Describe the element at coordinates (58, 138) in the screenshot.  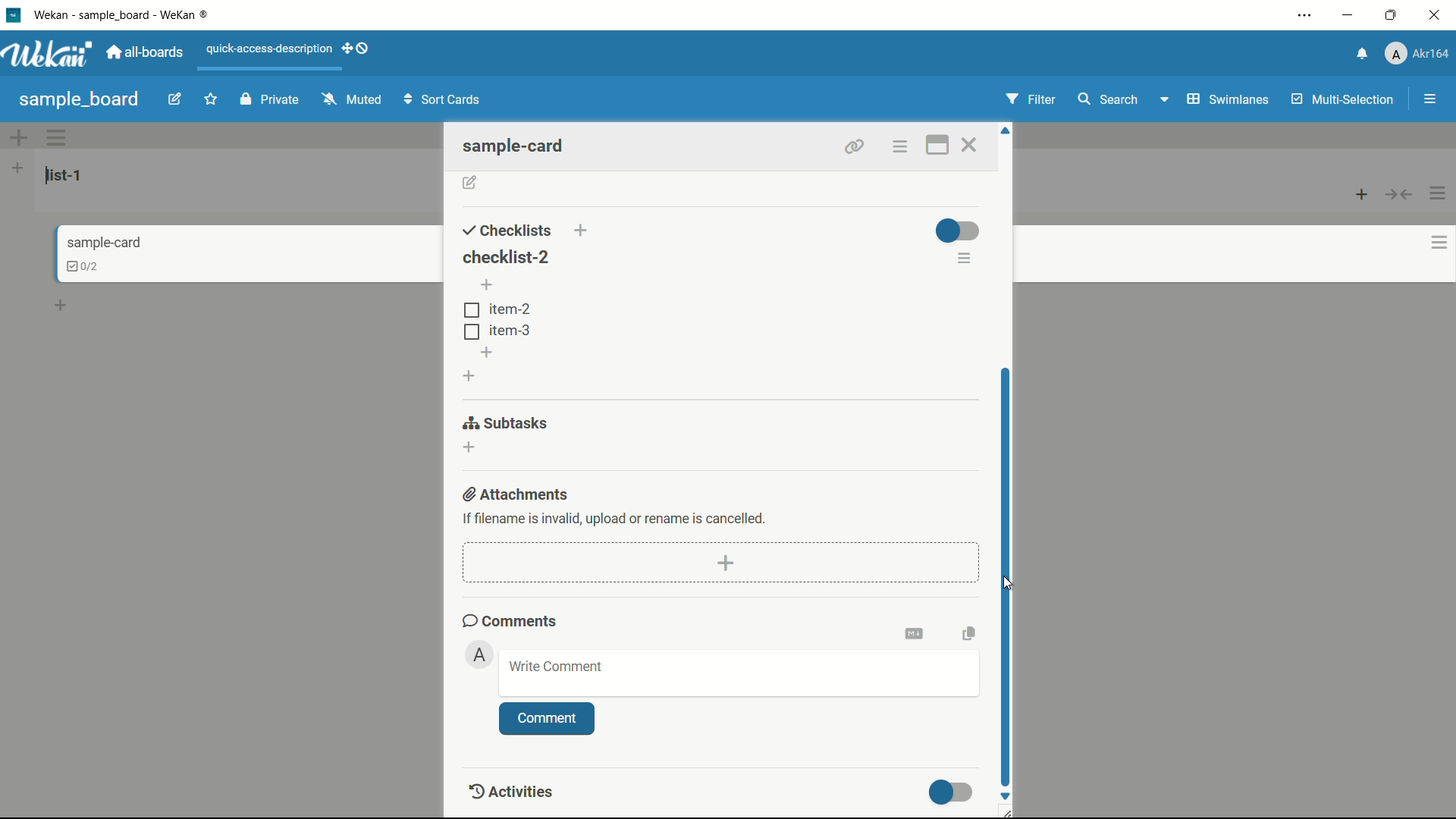
I see `swimlane actions` at that location.